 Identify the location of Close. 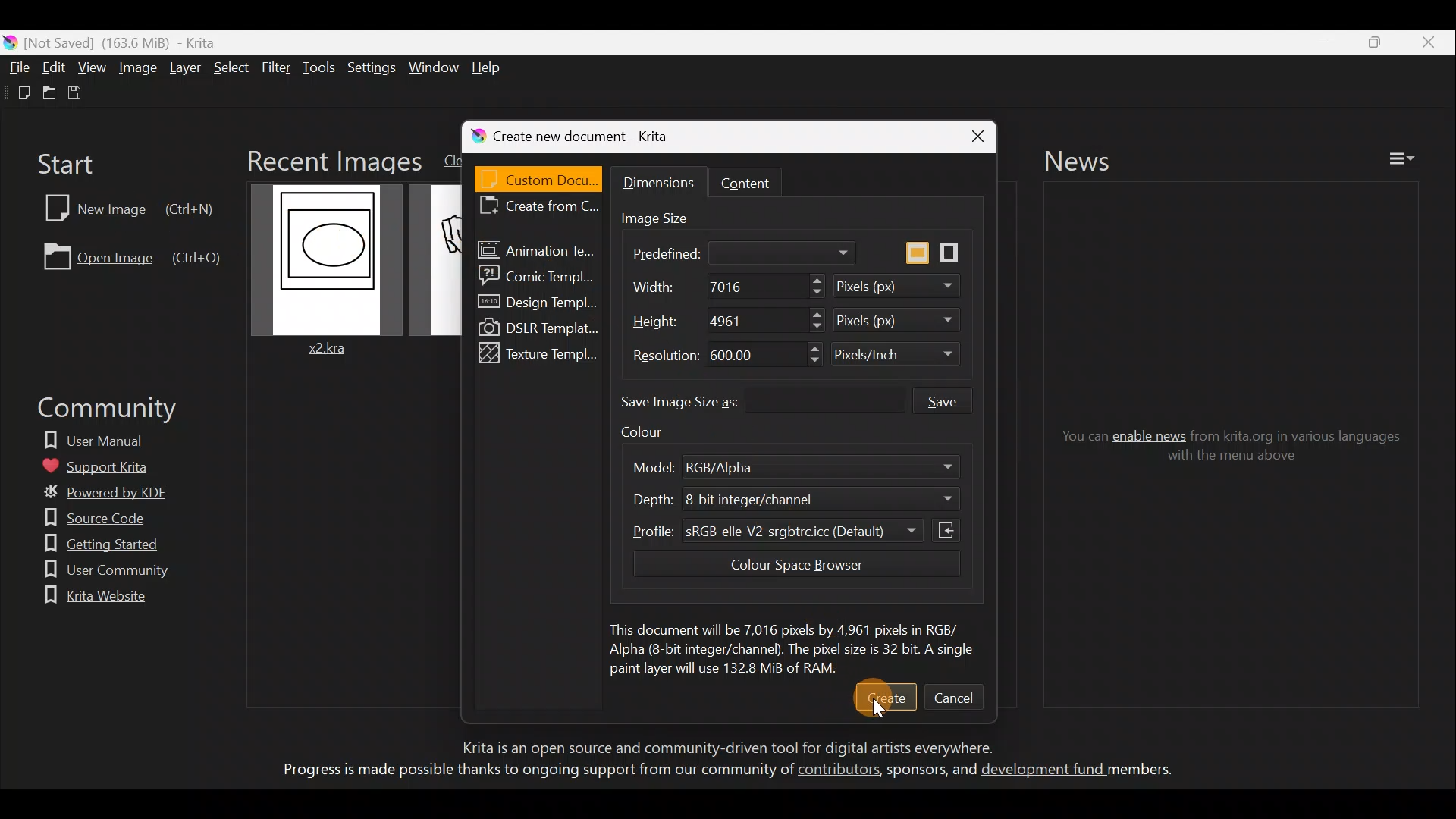
(963, 134).